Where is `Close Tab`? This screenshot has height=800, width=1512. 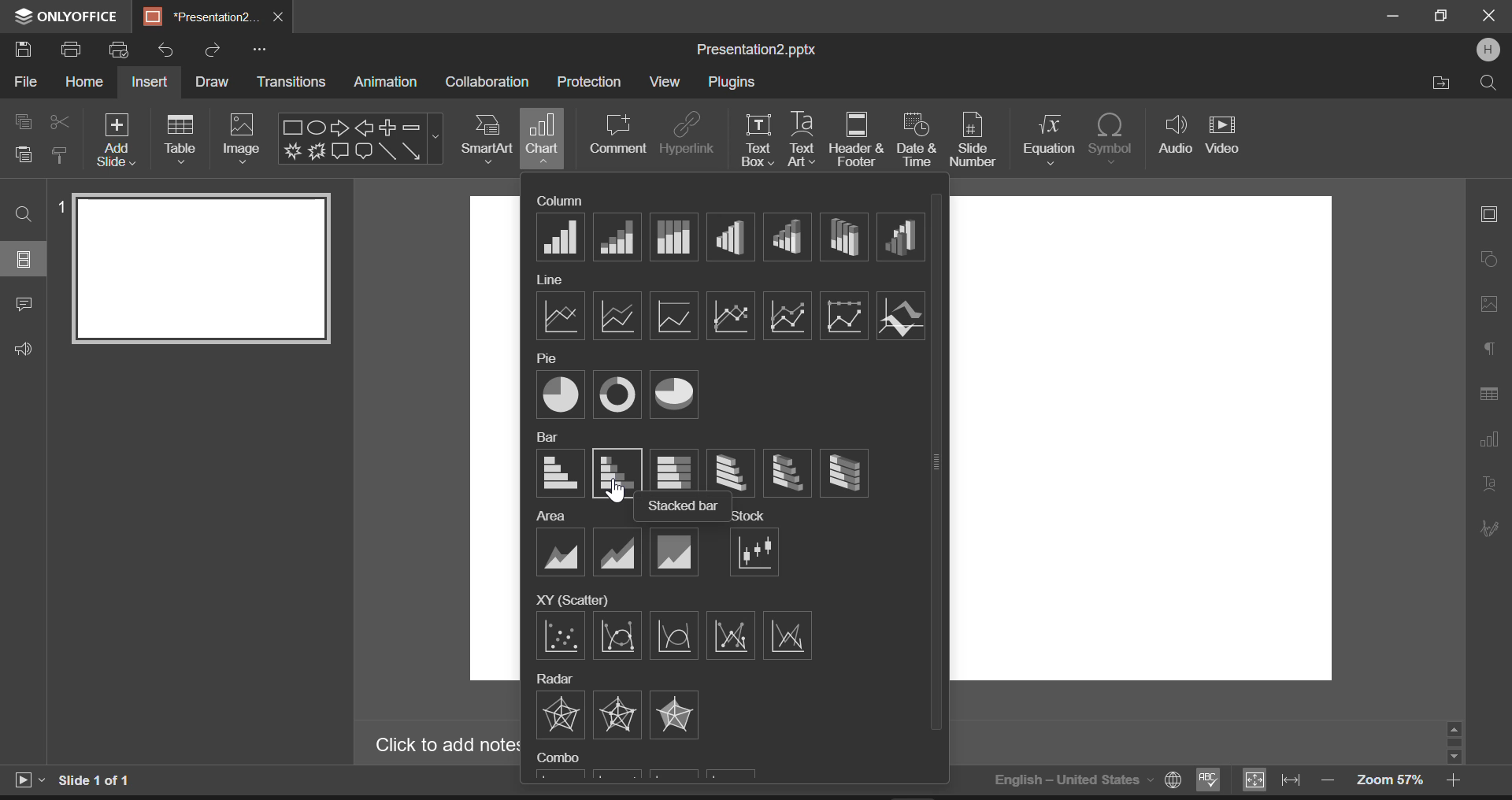 Close Tab is located at coordinates (280, 17).